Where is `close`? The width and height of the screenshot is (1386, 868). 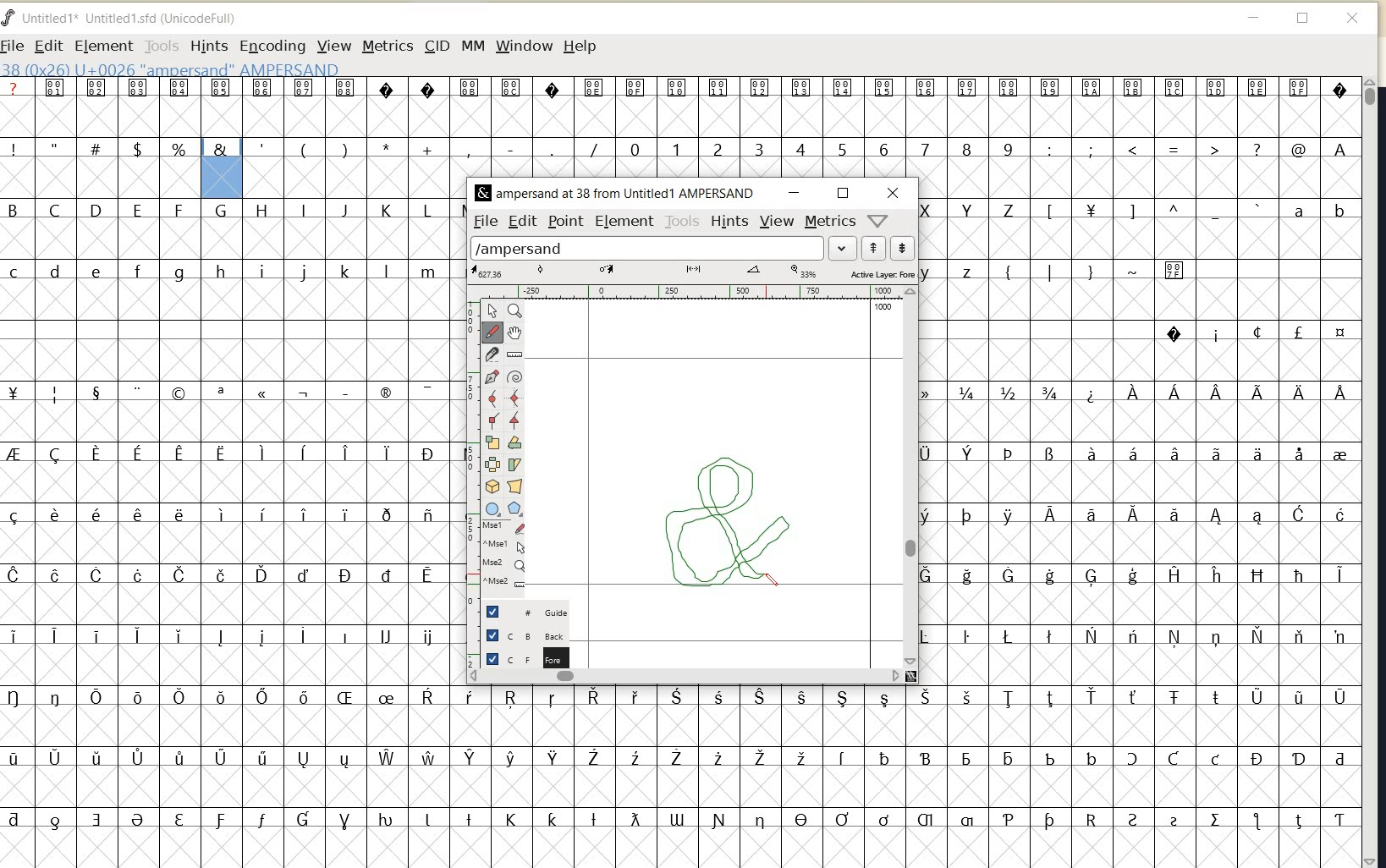
close is located at coordinates (1354, 18).